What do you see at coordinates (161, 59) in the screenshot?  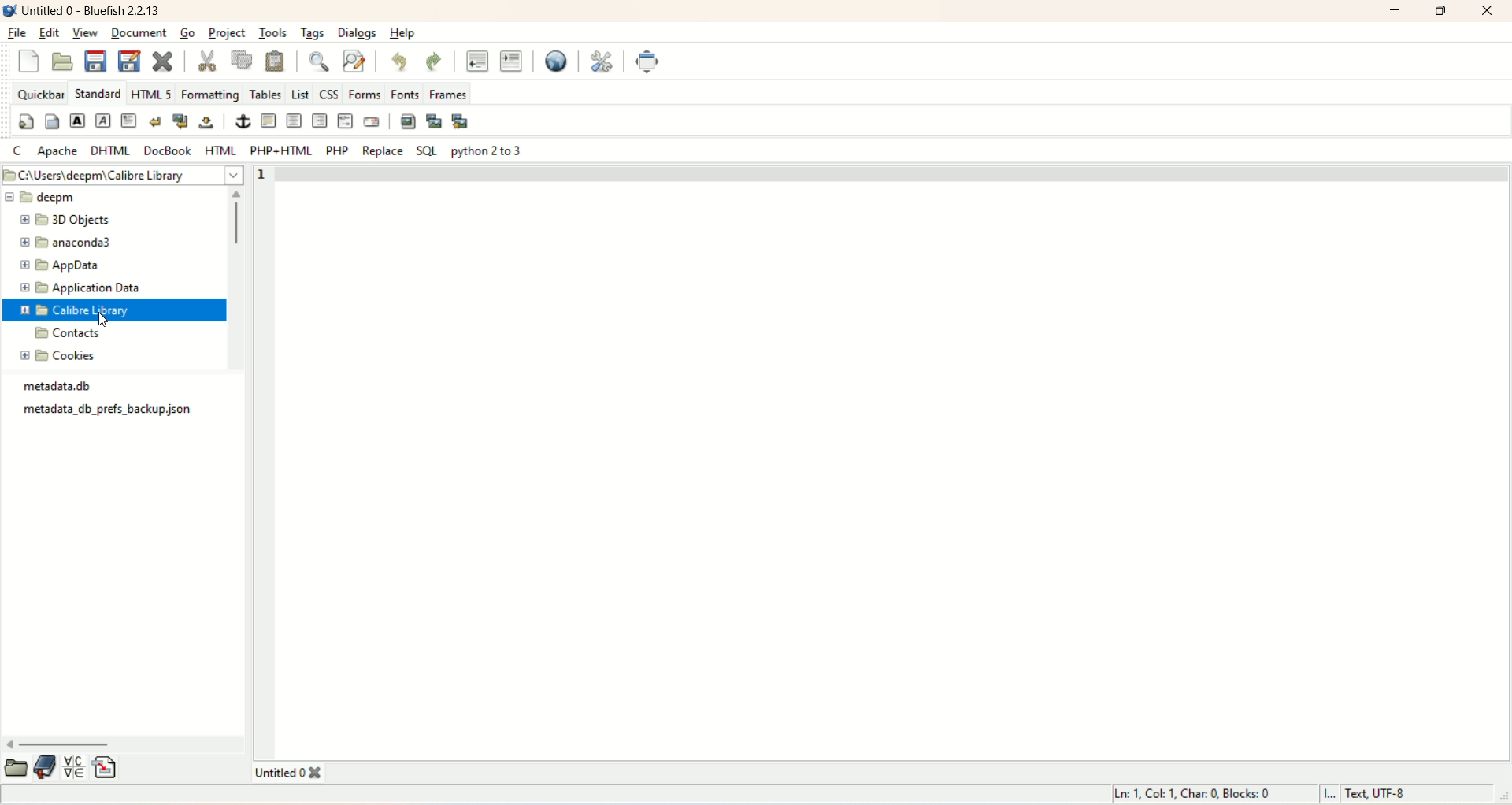 I see `close current file` at bounding box center [161, 59].